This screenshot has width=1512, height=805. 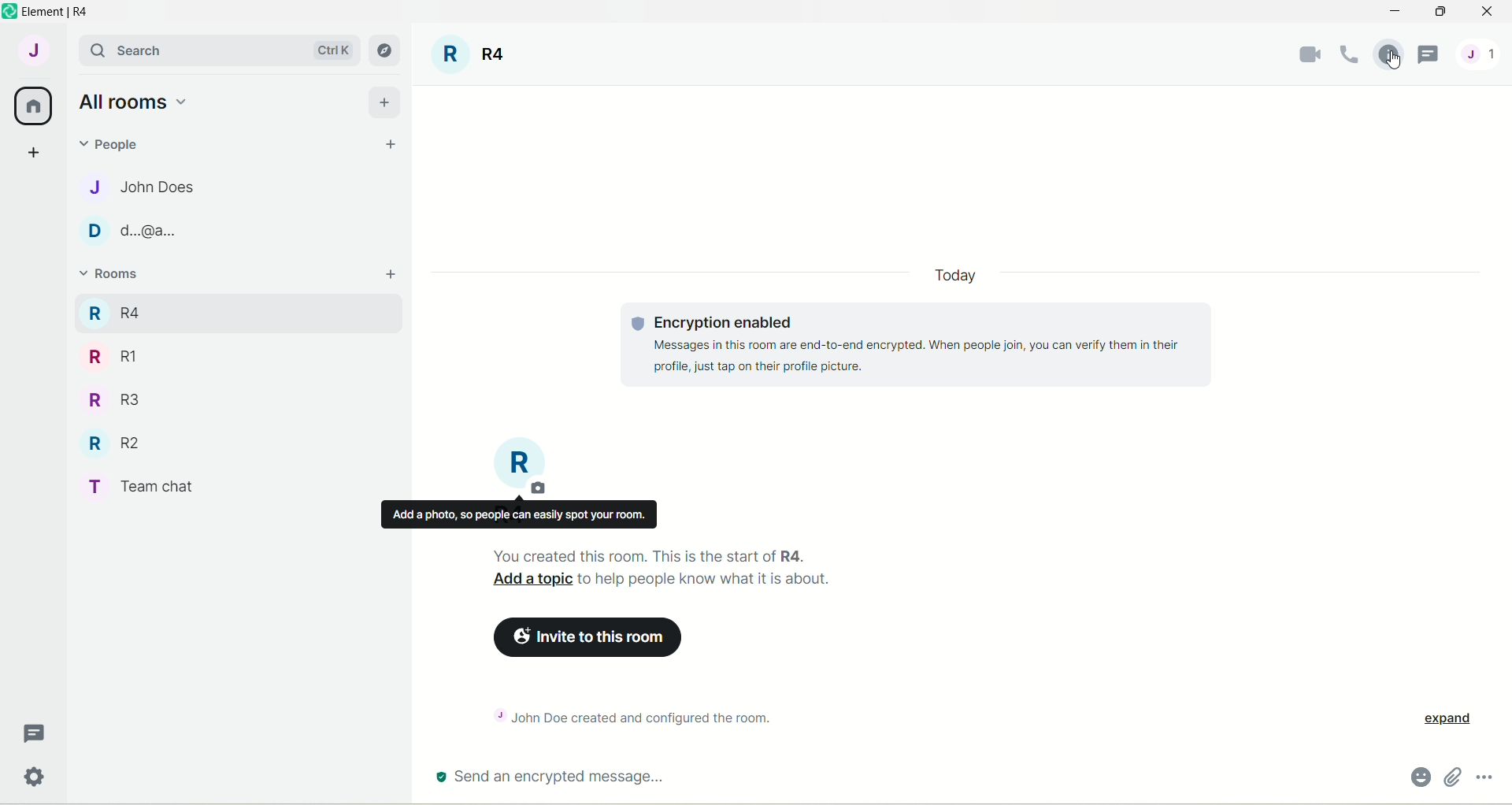 I want to click on people, so click(x=1488, y=53).